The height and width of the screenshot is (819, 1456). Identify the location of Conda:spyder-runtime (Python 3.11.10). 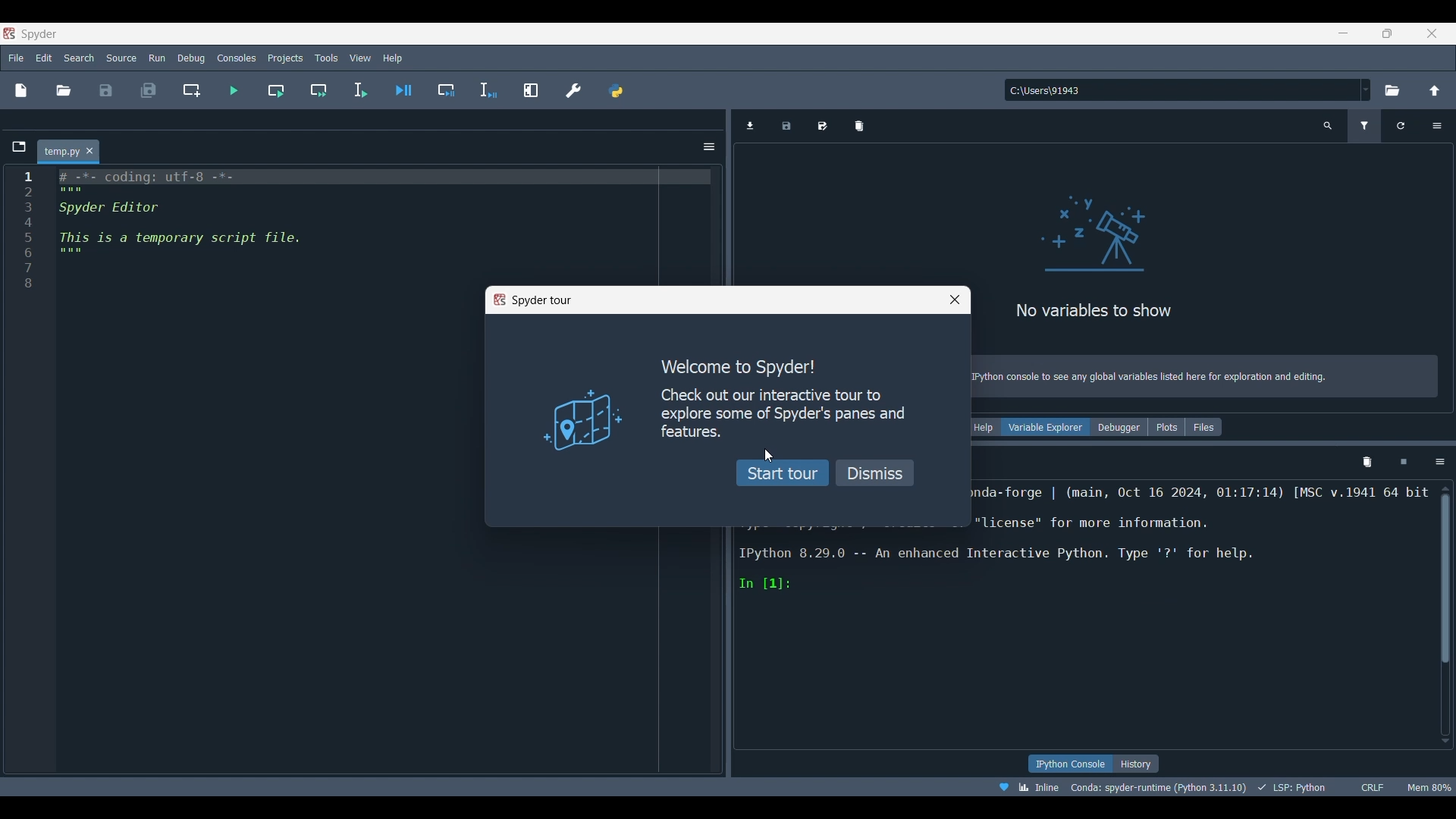
(1059, 788).